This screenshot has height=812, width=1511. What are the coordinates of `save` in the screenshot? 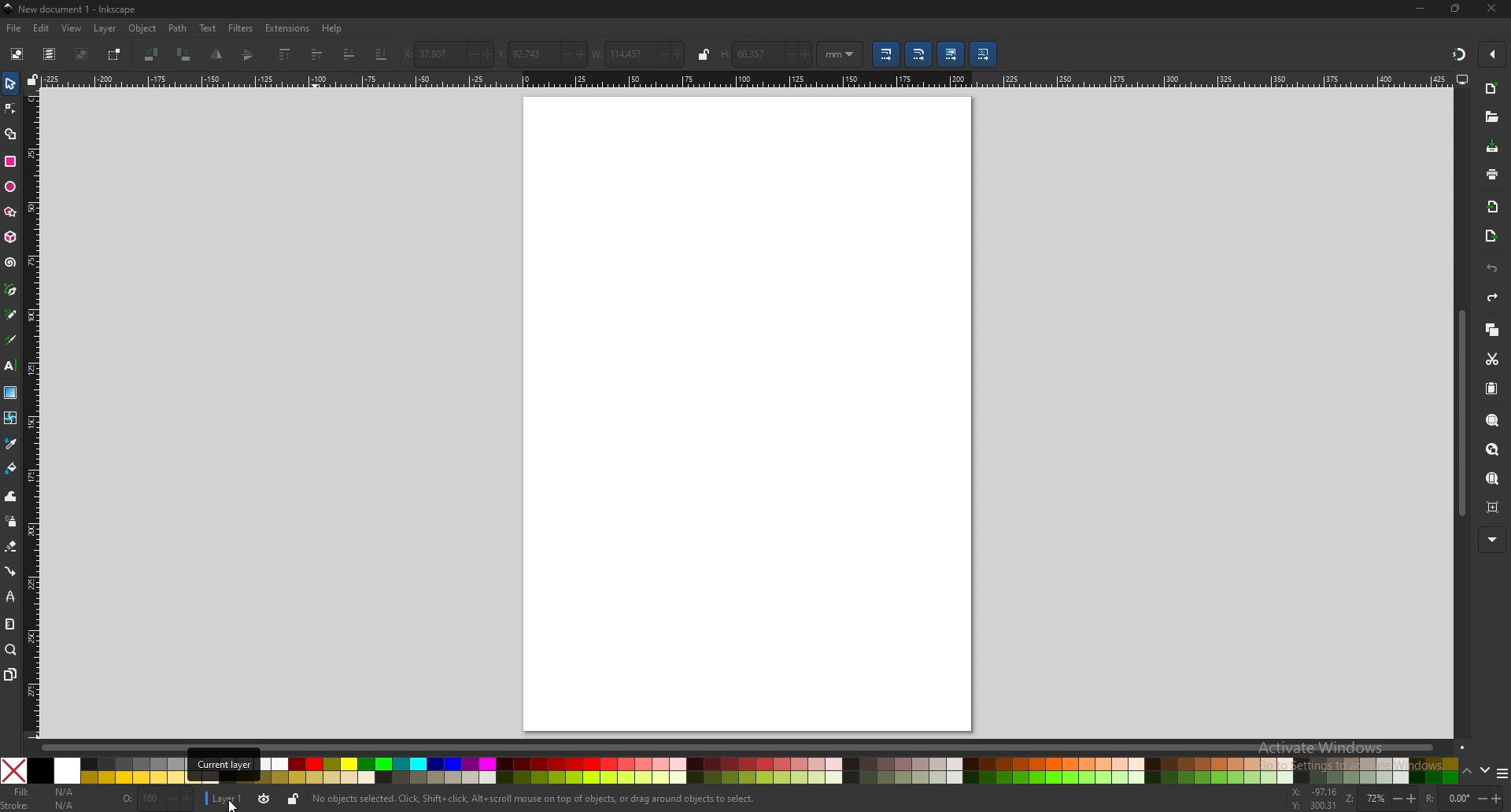 It's located at (1491, 146).